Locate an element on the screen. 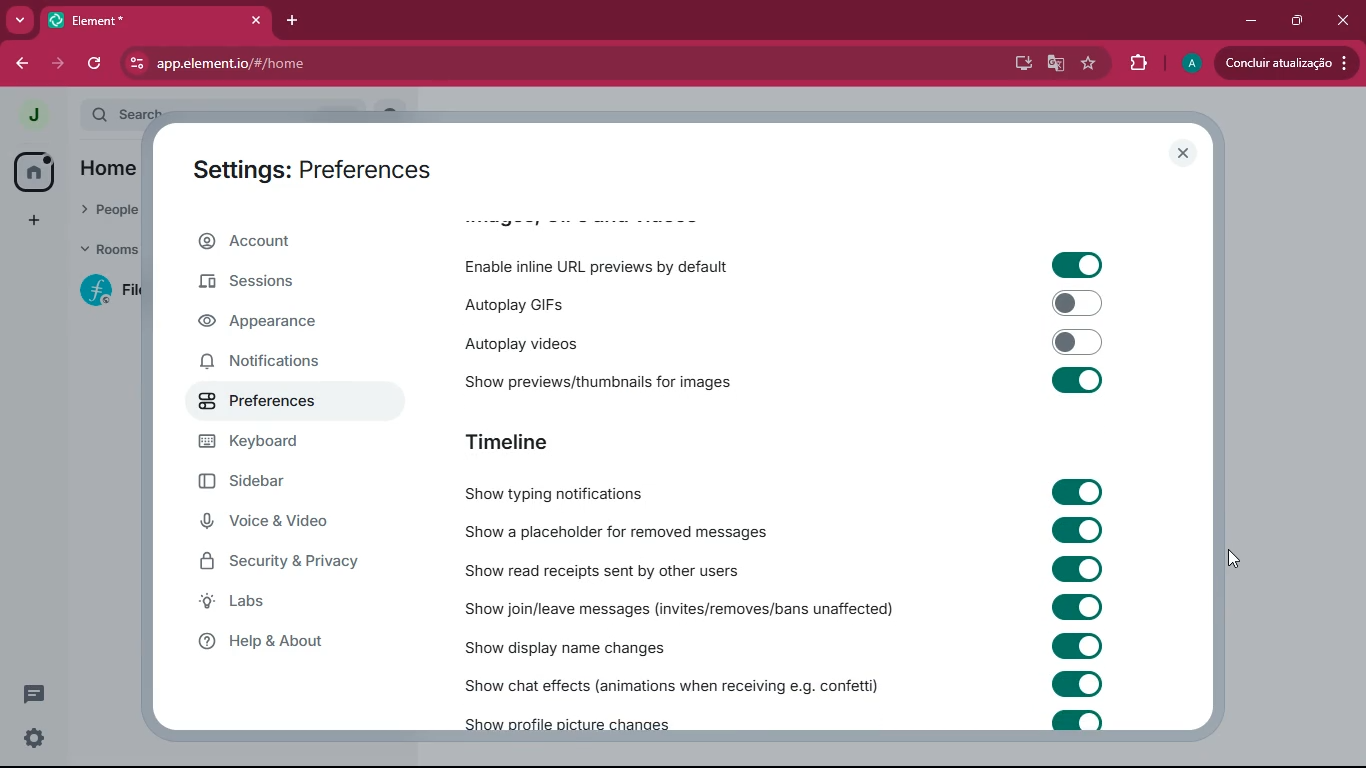 This screenshot has height=768, width=1366. more is located at coordinates (20, 21).